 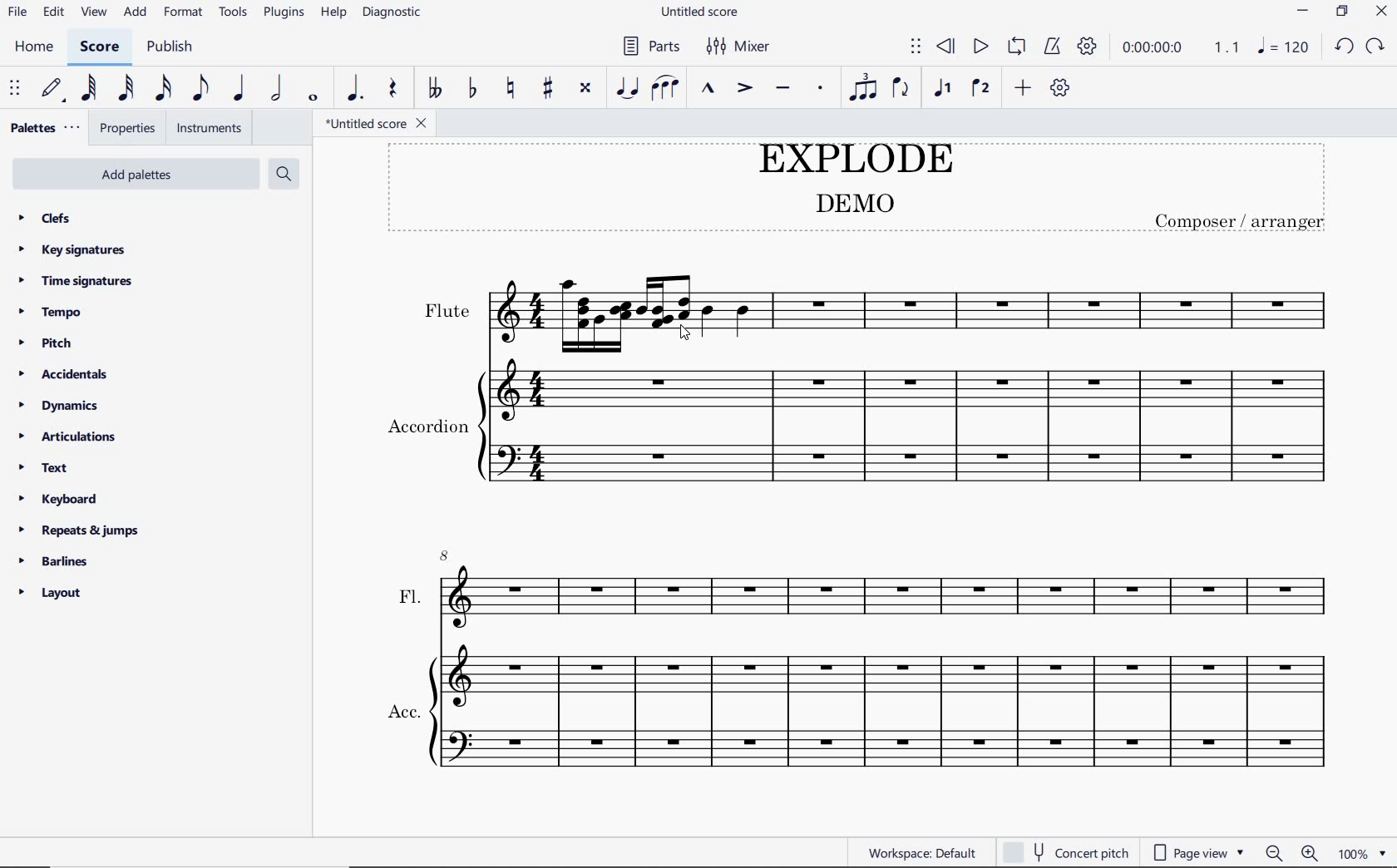 I want to click on augmentation dot, so click(x=355, y=87).